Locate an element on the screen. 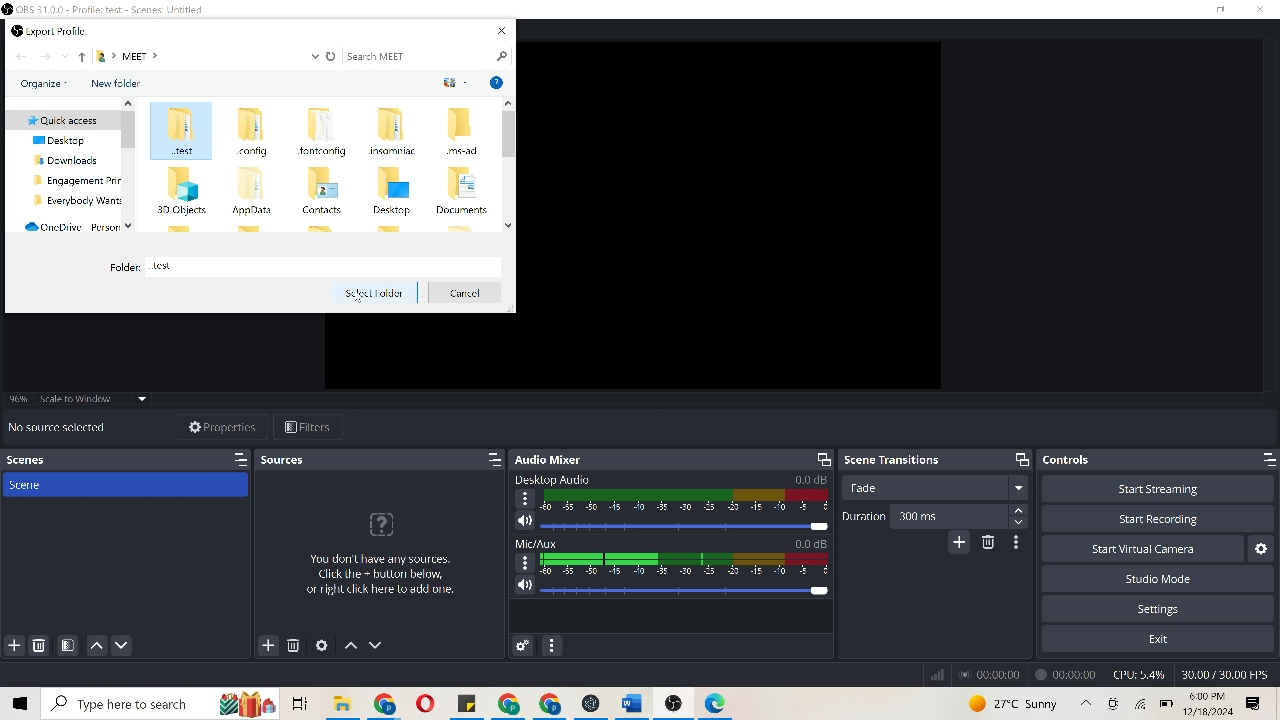 This screenshot has height=720, width=1280. scroll bar is located at coordinates (132, 163).